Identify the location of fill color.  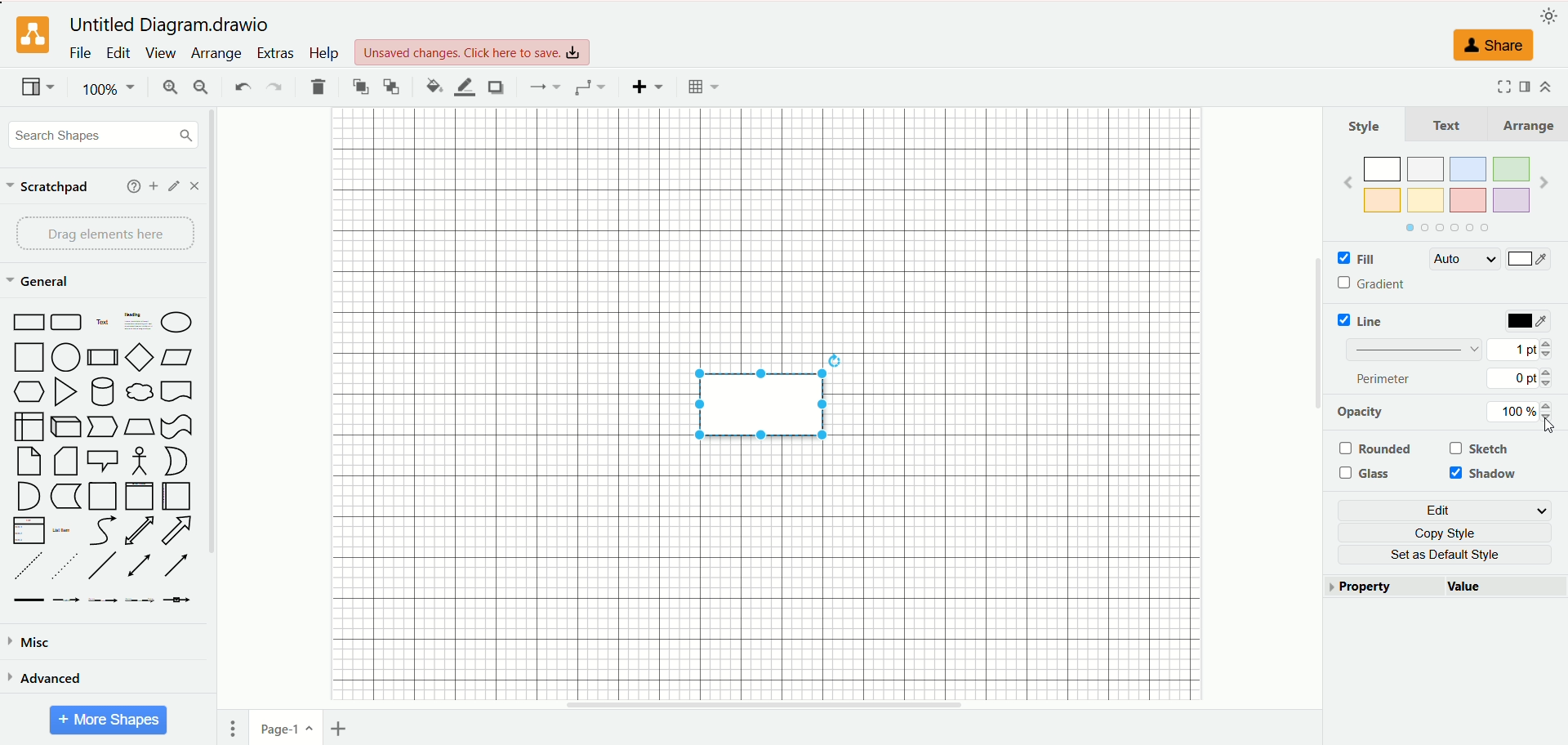
(434, 86).